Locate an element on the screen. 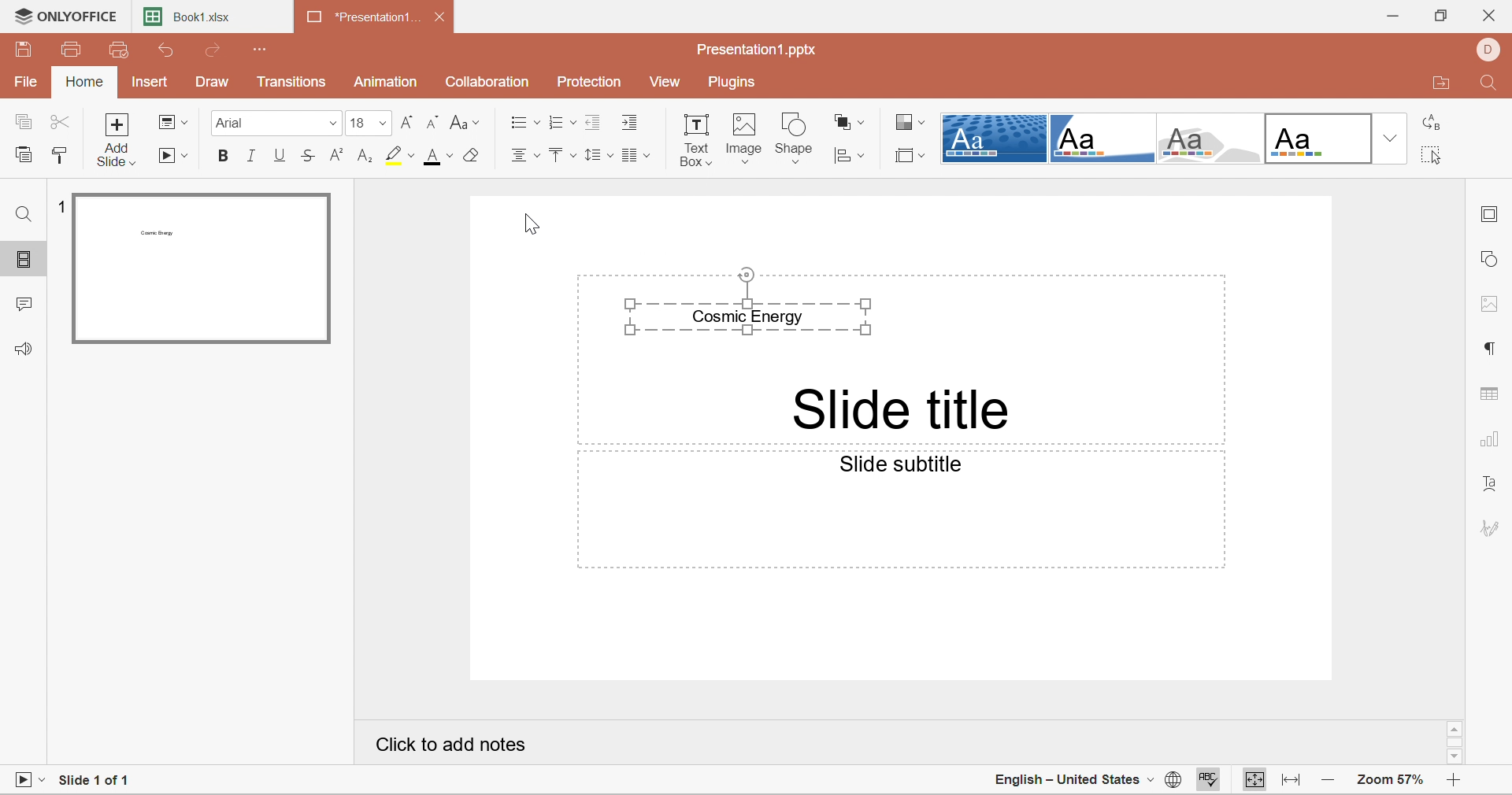  Open file location is located at coordinates (1442, 83).